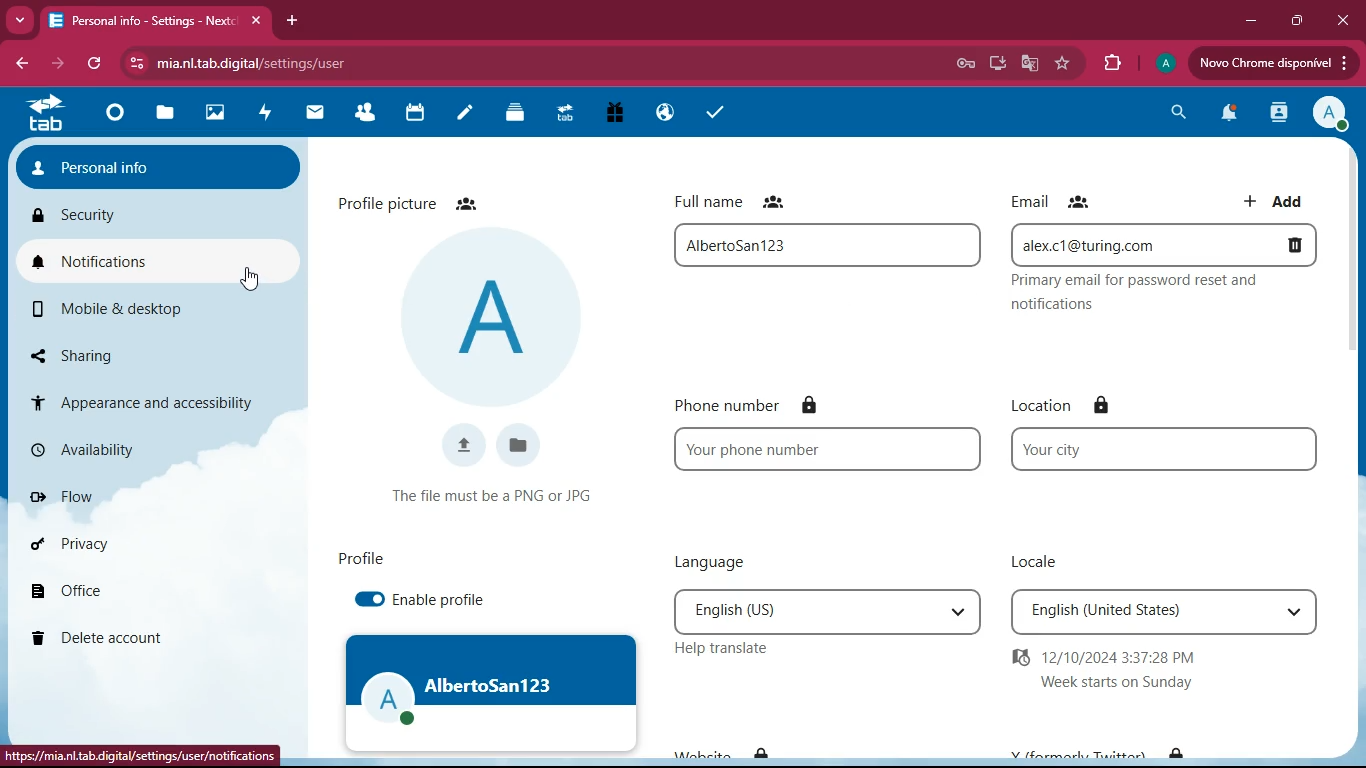 The height and width of the screenshot is (768, 1366). What do you see at coordinates (1173, 113) in the screenshot?
I see `search` at bounding box center [1173, 113].